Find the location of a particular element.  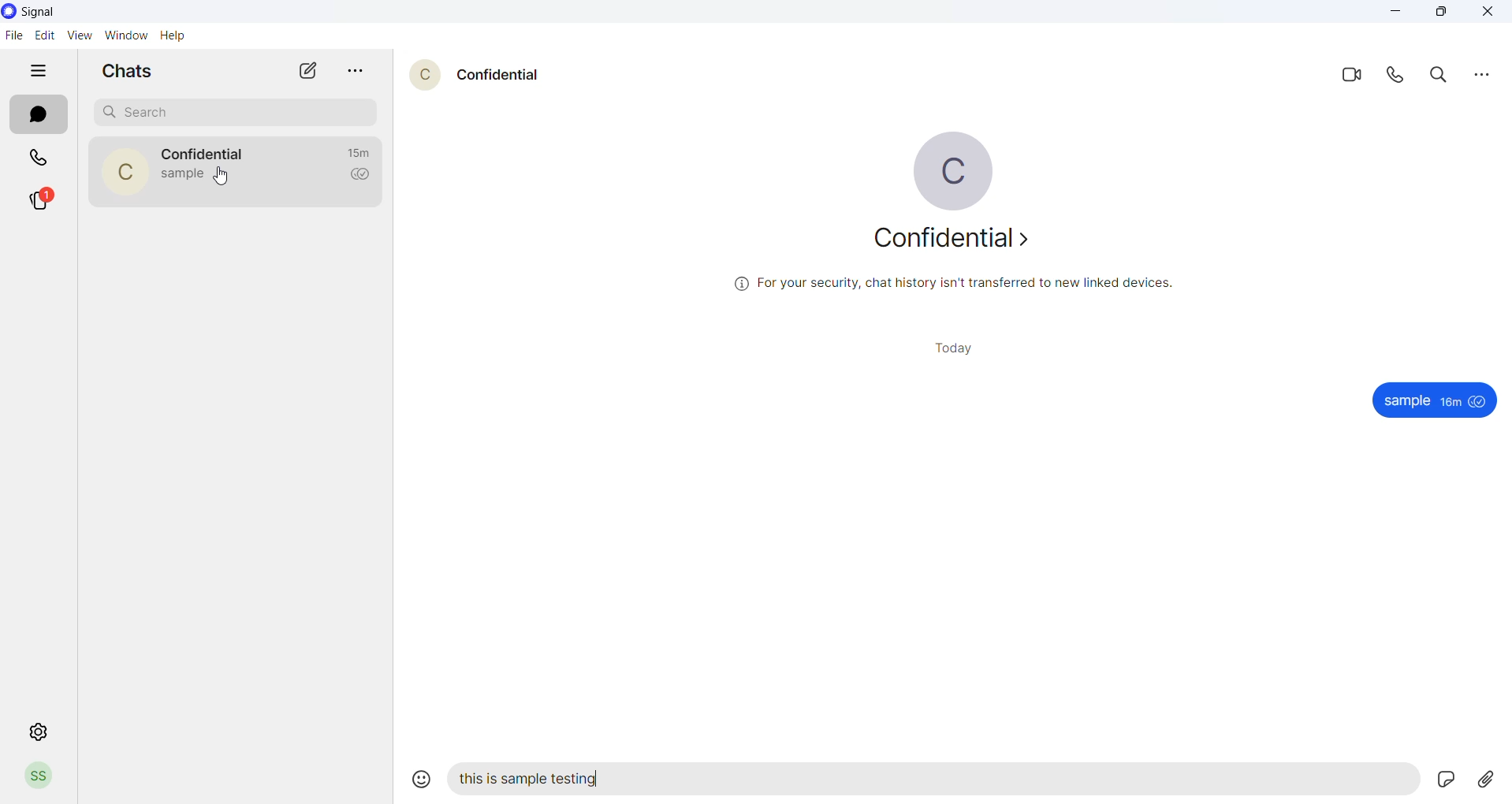

emoji is located at coordinates (423, 776).